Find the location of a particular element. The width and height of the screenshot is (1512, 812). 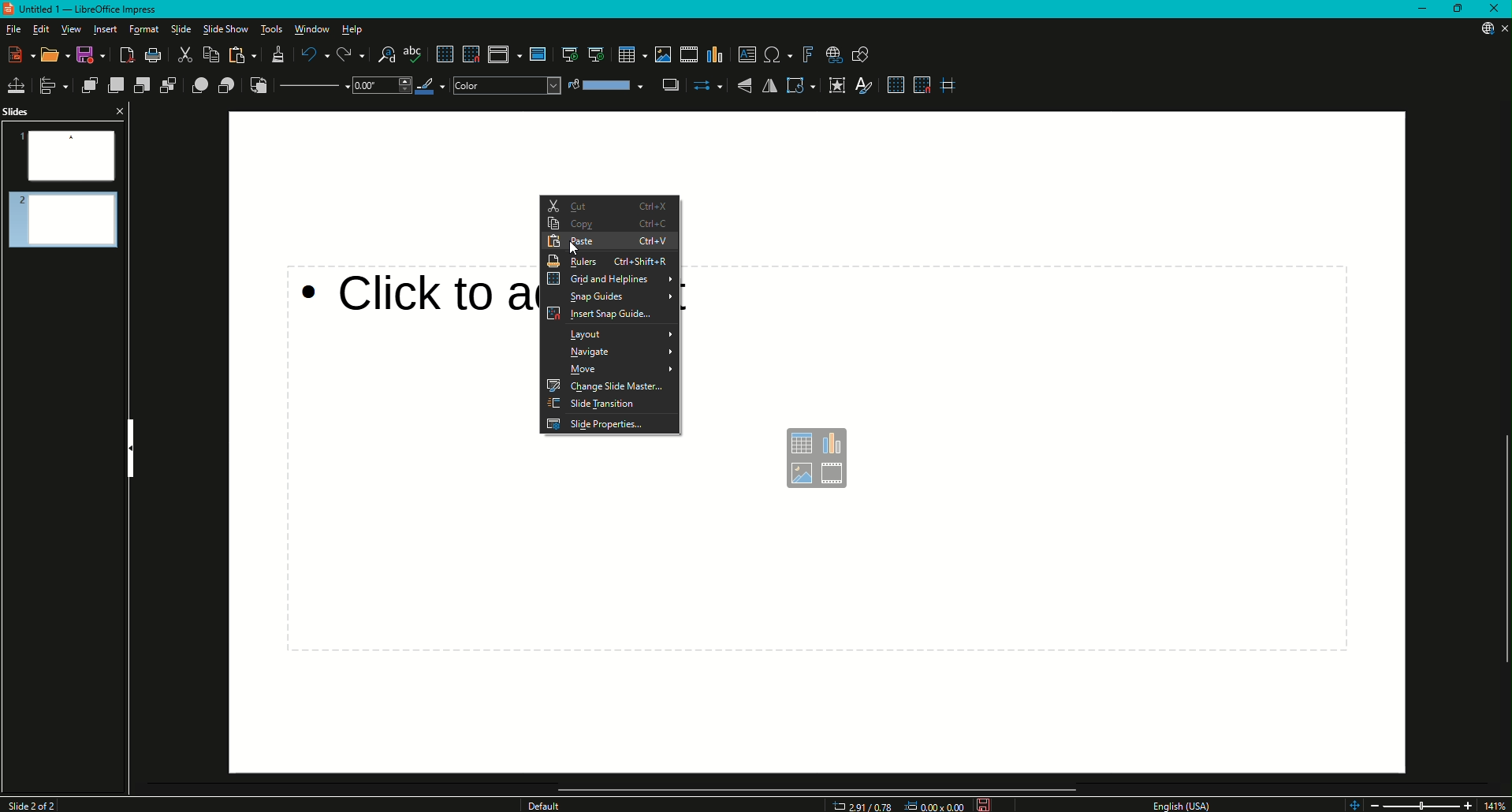

Line Color is located at coordinates (428, 88).